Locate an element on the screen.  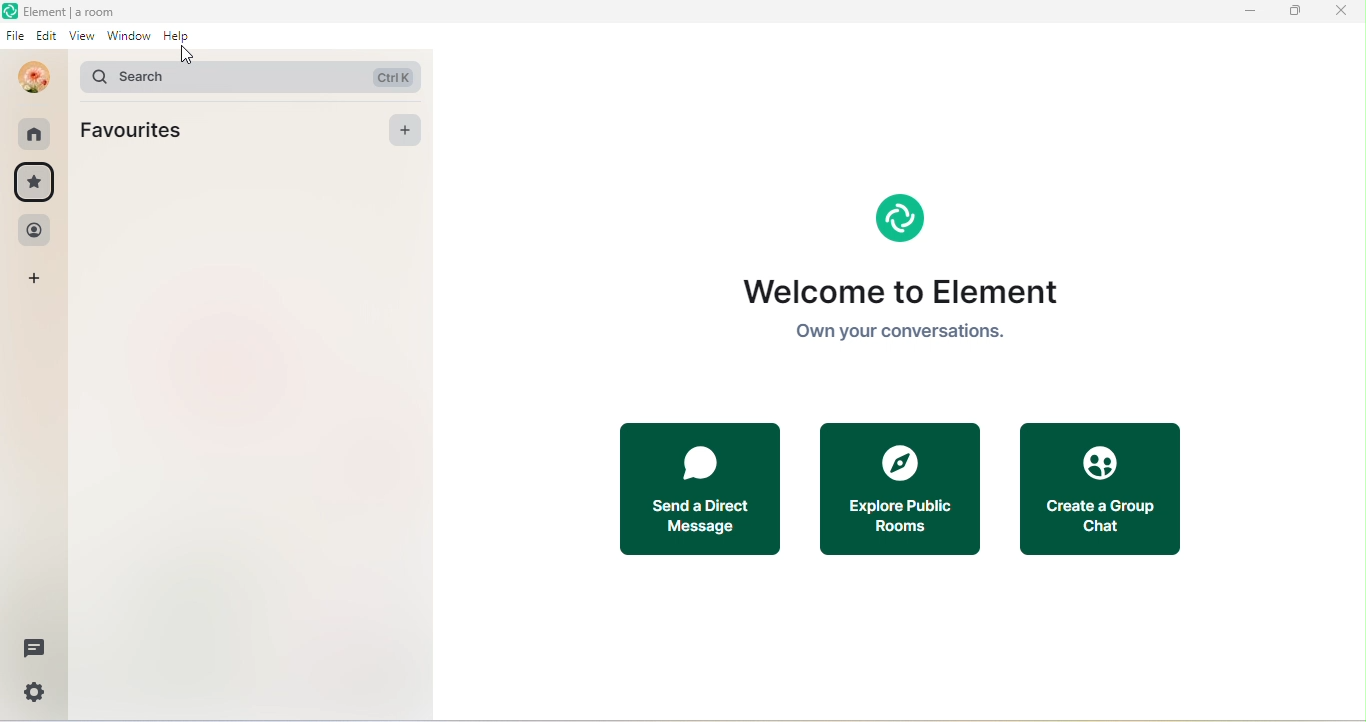
help is located at coordinates (181, 40).